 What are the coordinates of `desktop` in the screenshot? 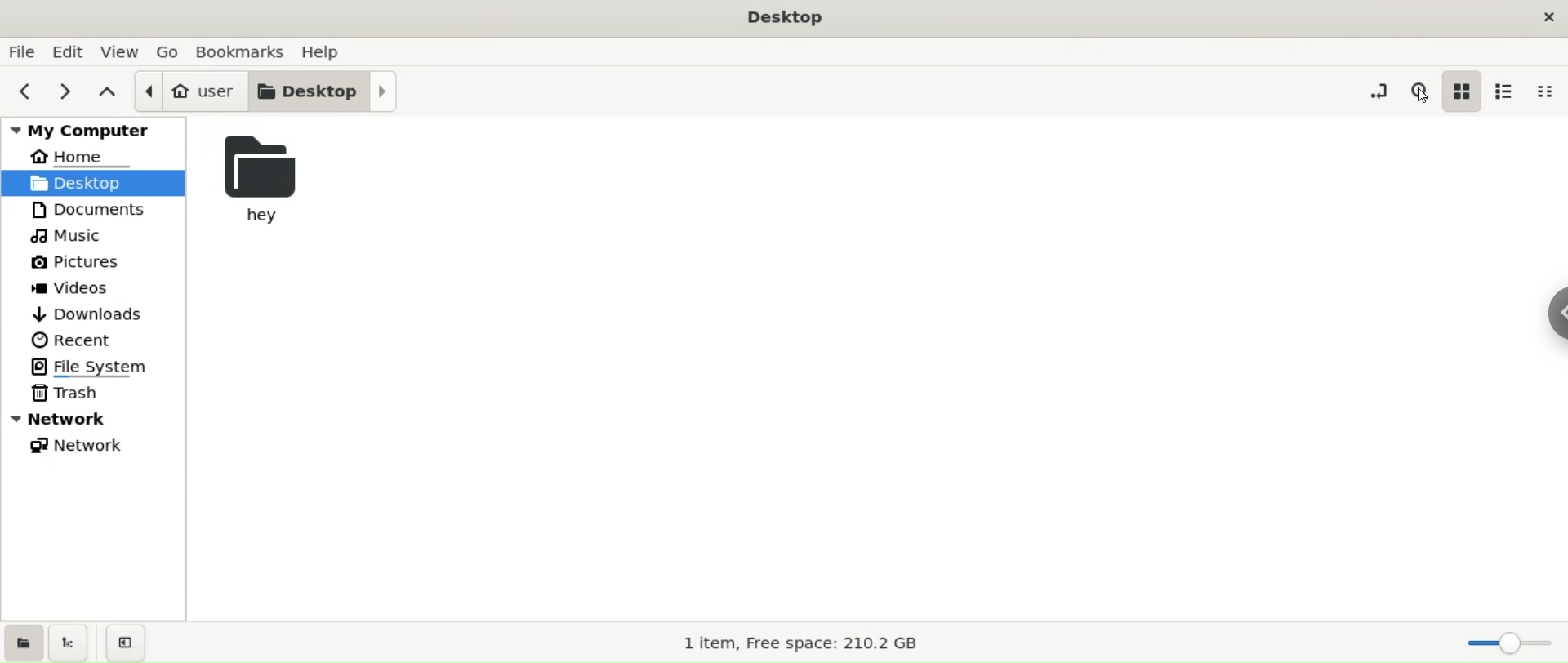 It's located at (326, 93).